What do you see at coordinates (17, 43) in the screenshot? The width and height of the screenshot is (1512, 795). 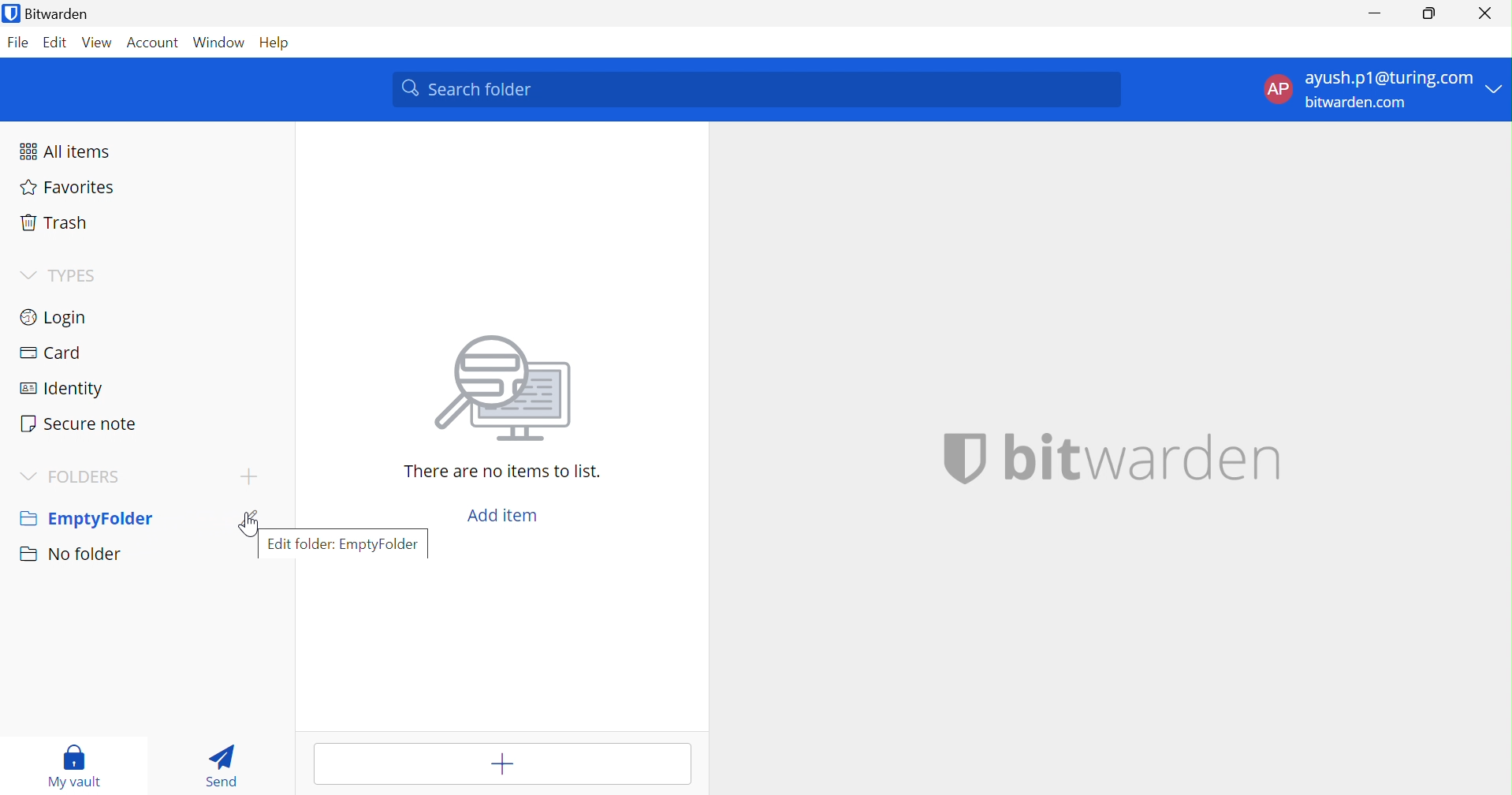 I see `File` at bounding box center [17, 43].